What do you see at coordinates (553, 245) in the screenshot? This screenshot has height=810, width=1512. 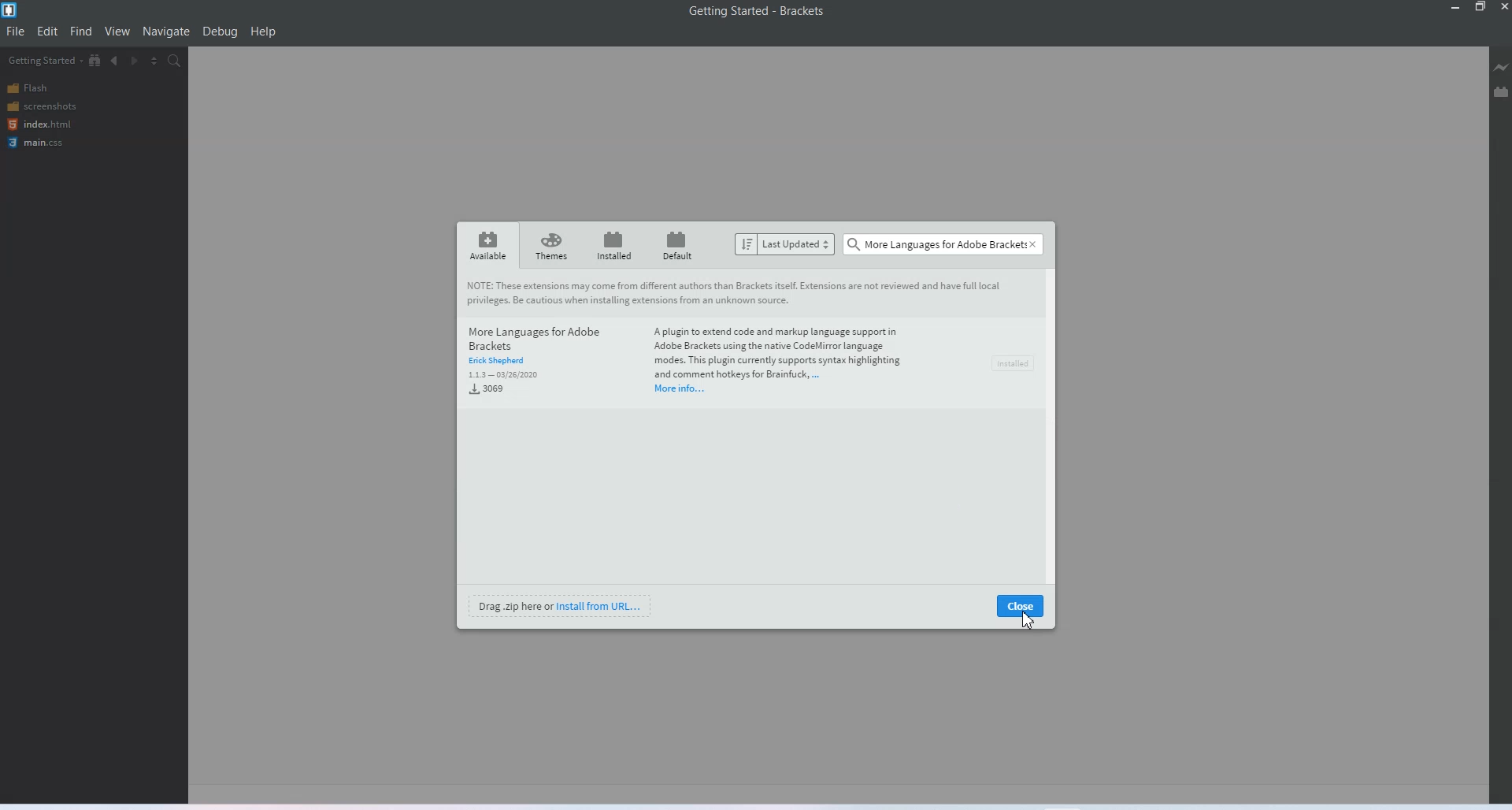 I see `theme` at bounding box center [553, 245].